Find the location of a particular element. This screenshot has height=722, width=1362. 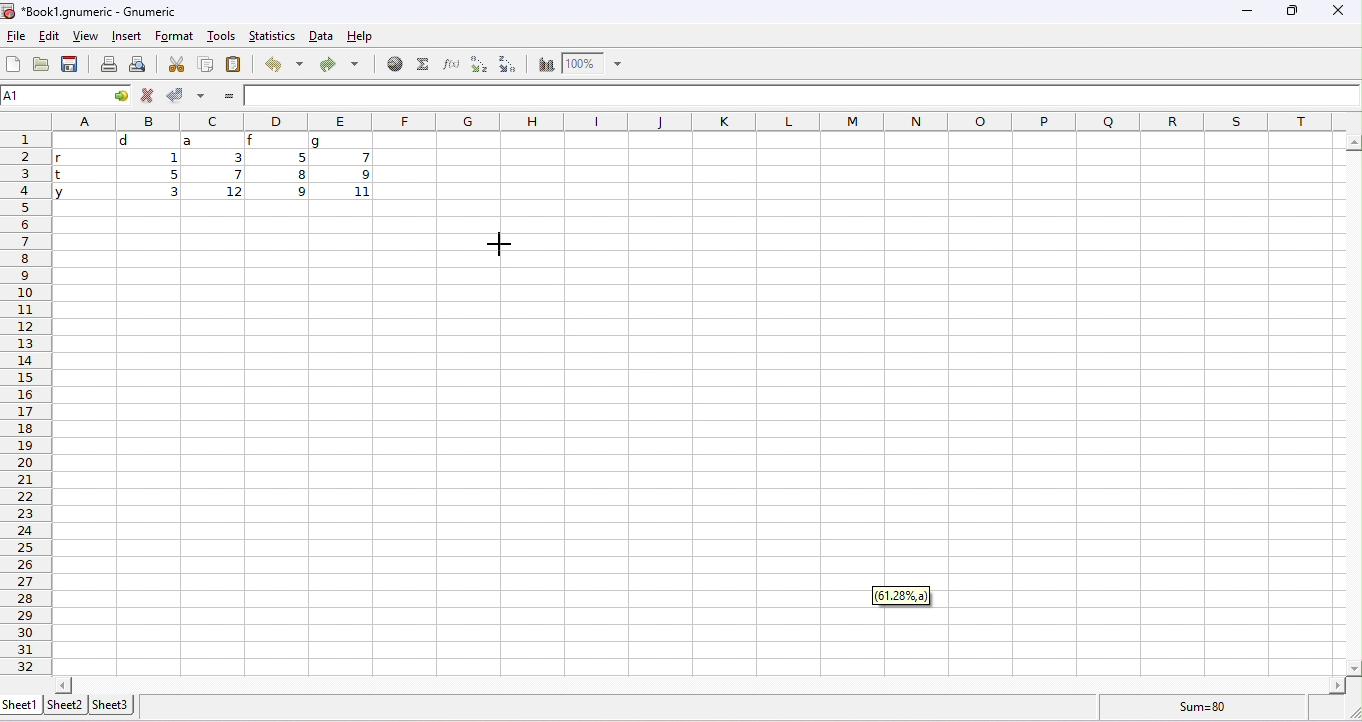

accept multiple changes is located at coordinates (202, 95).